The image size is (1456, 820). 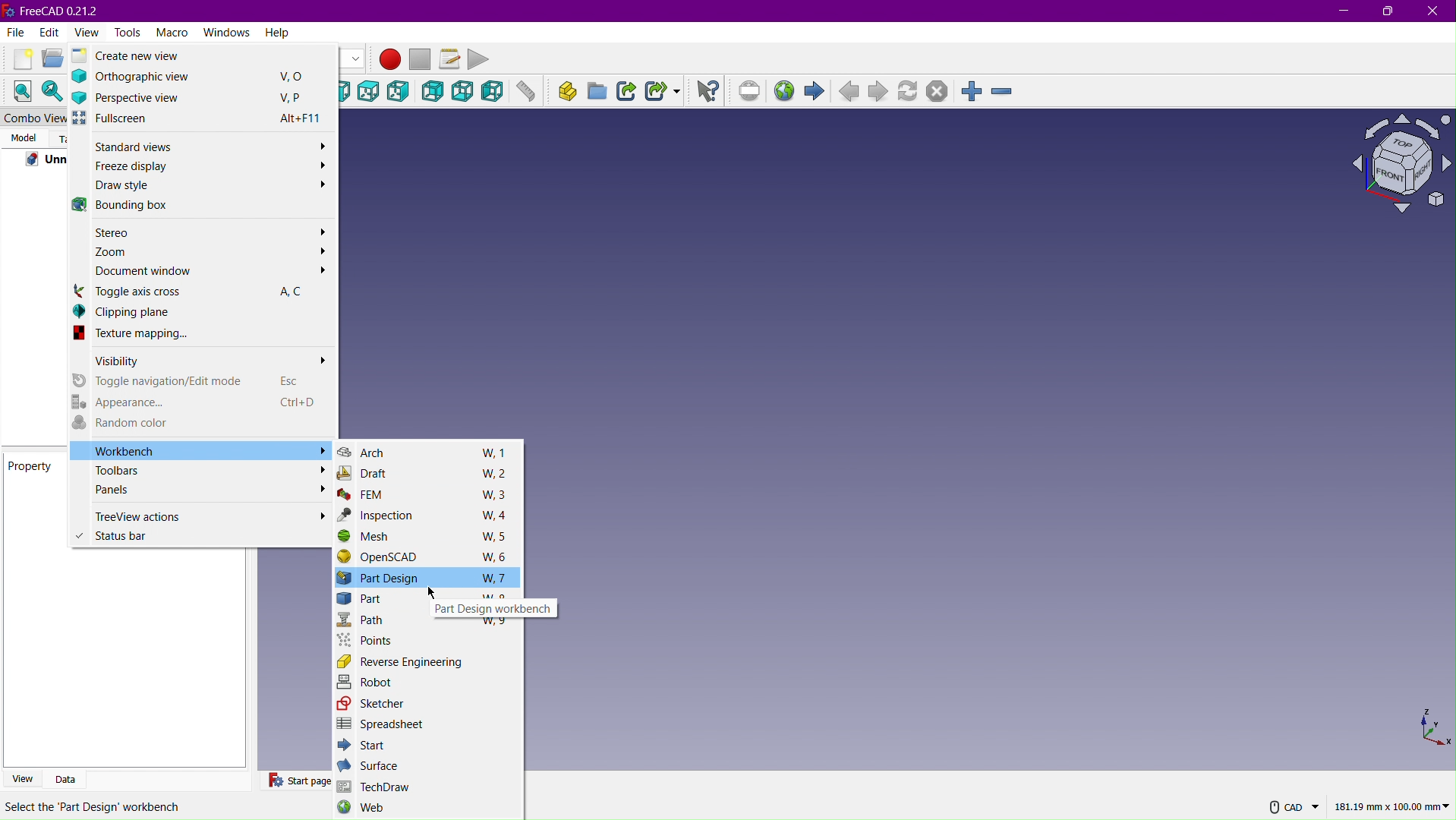 I want to click on Web, so click(x=363, y=807).